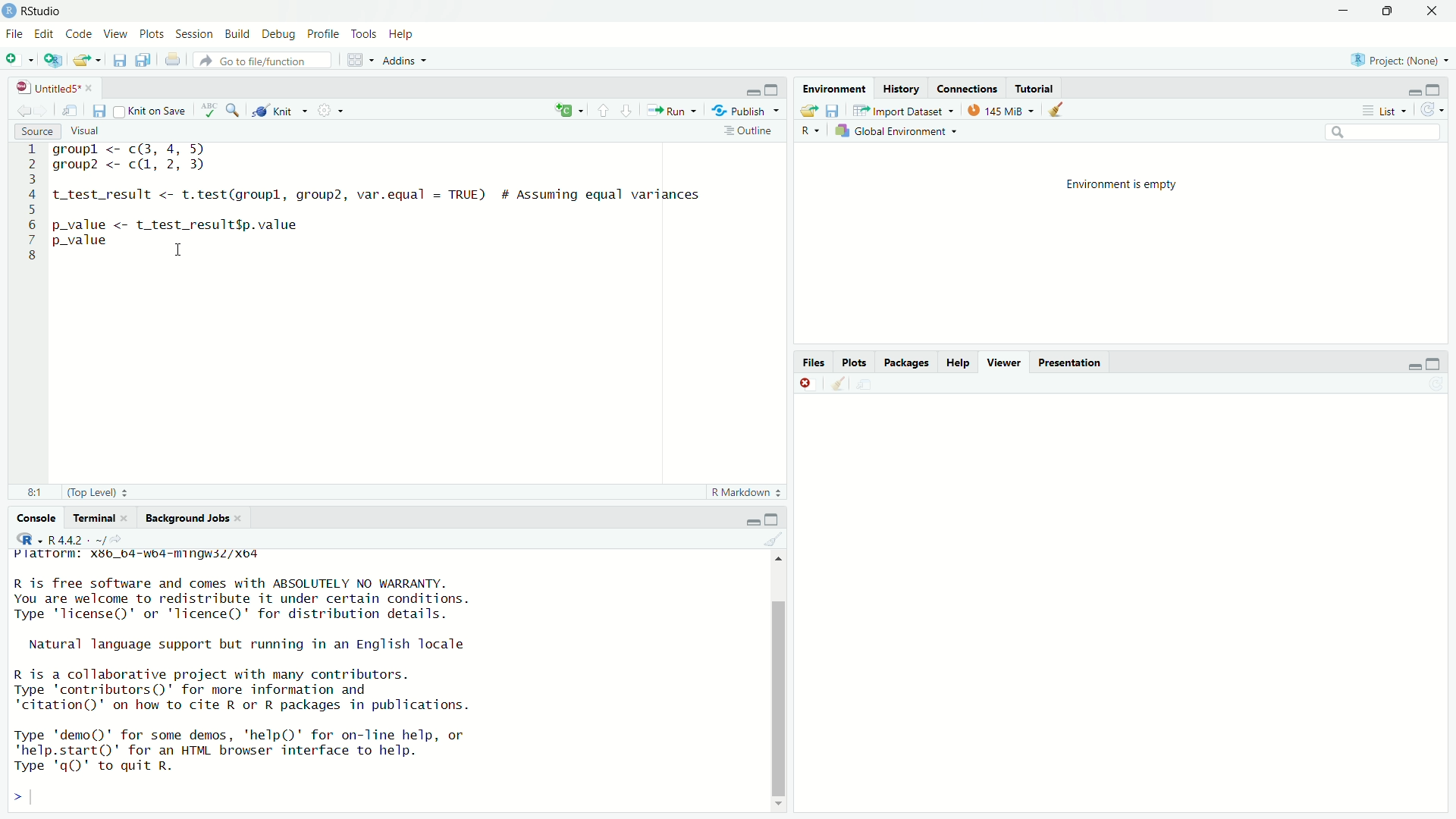 The image size is (1456, 819). Describe the element at coordinates (29, 538) in the screenshot. I see `RStudio logo` at that location.